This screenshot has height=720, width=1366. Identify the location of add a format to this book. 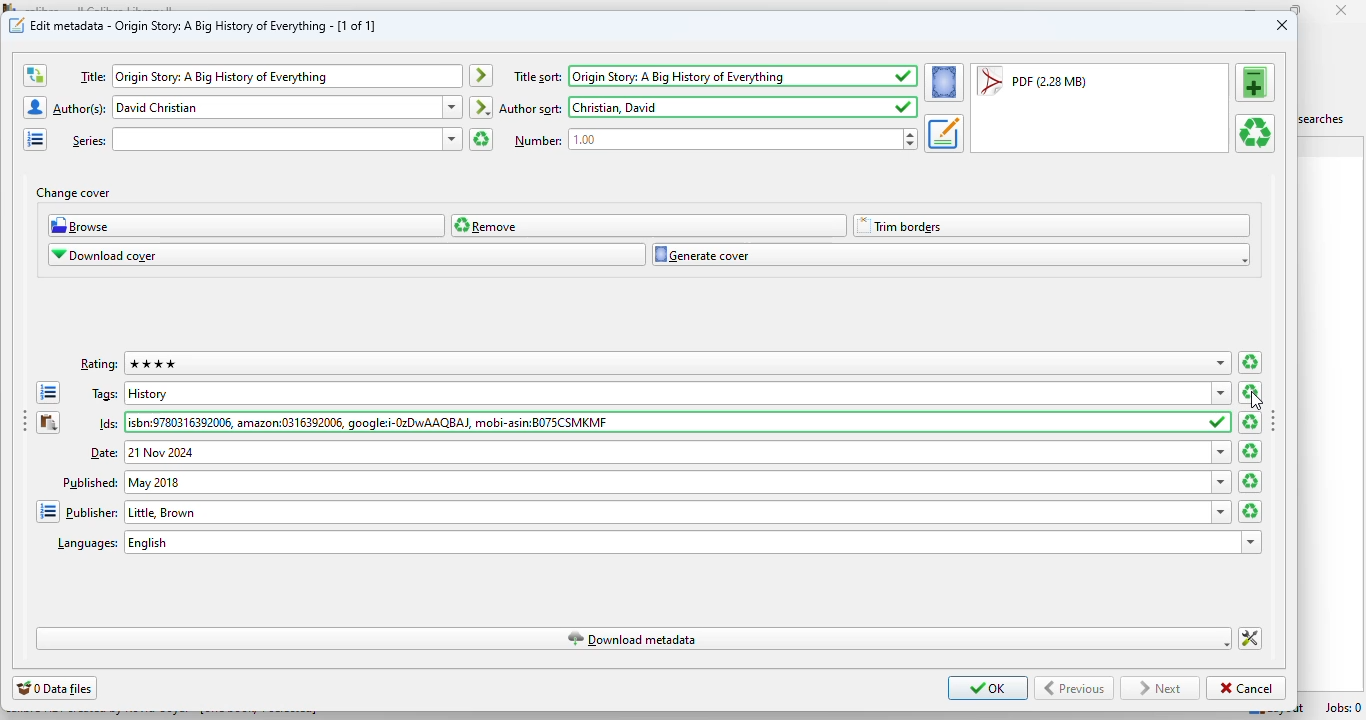
(1256, 82).